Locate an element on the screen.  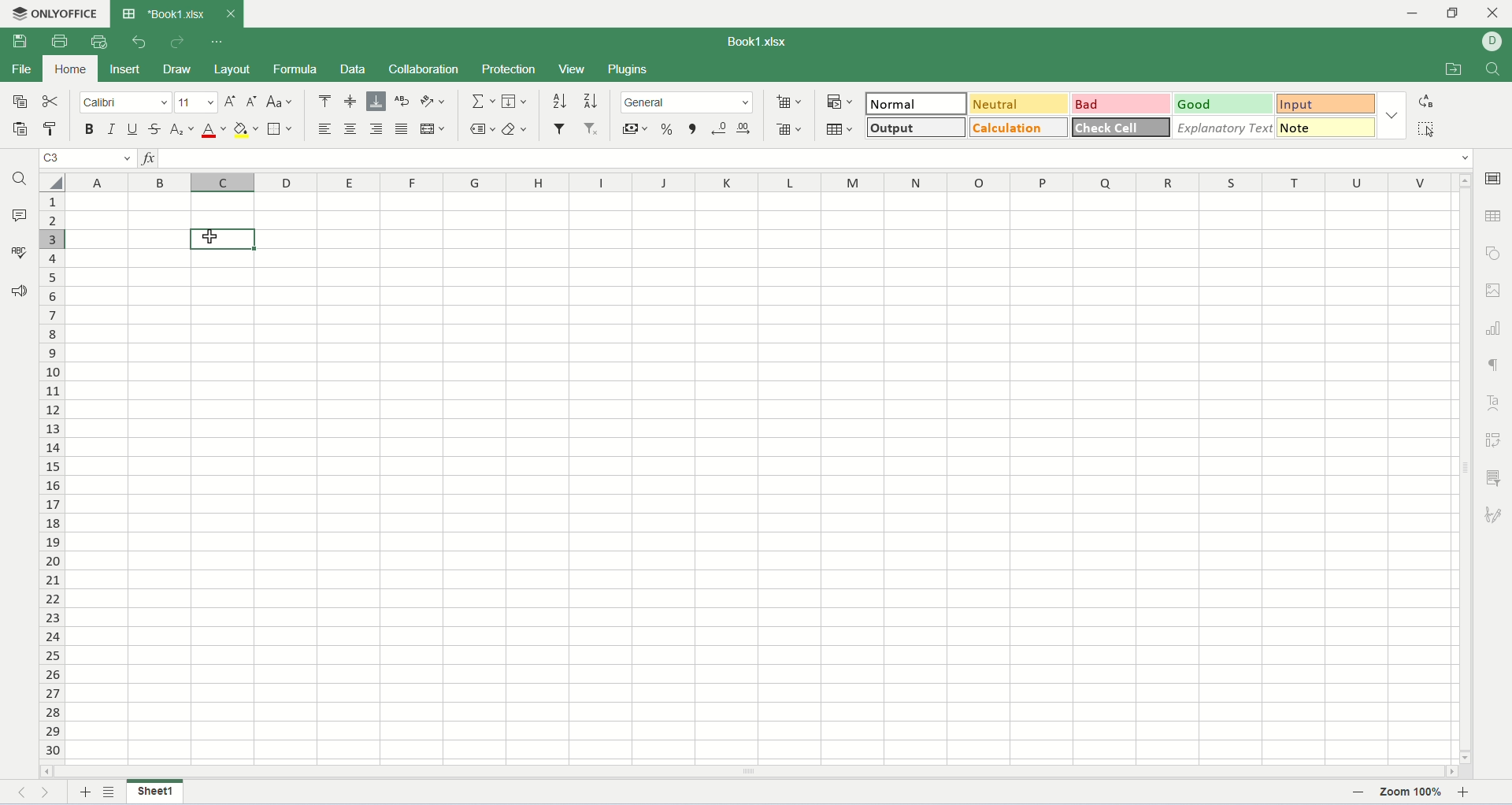
named ranges is located at coordinates (483, 131).